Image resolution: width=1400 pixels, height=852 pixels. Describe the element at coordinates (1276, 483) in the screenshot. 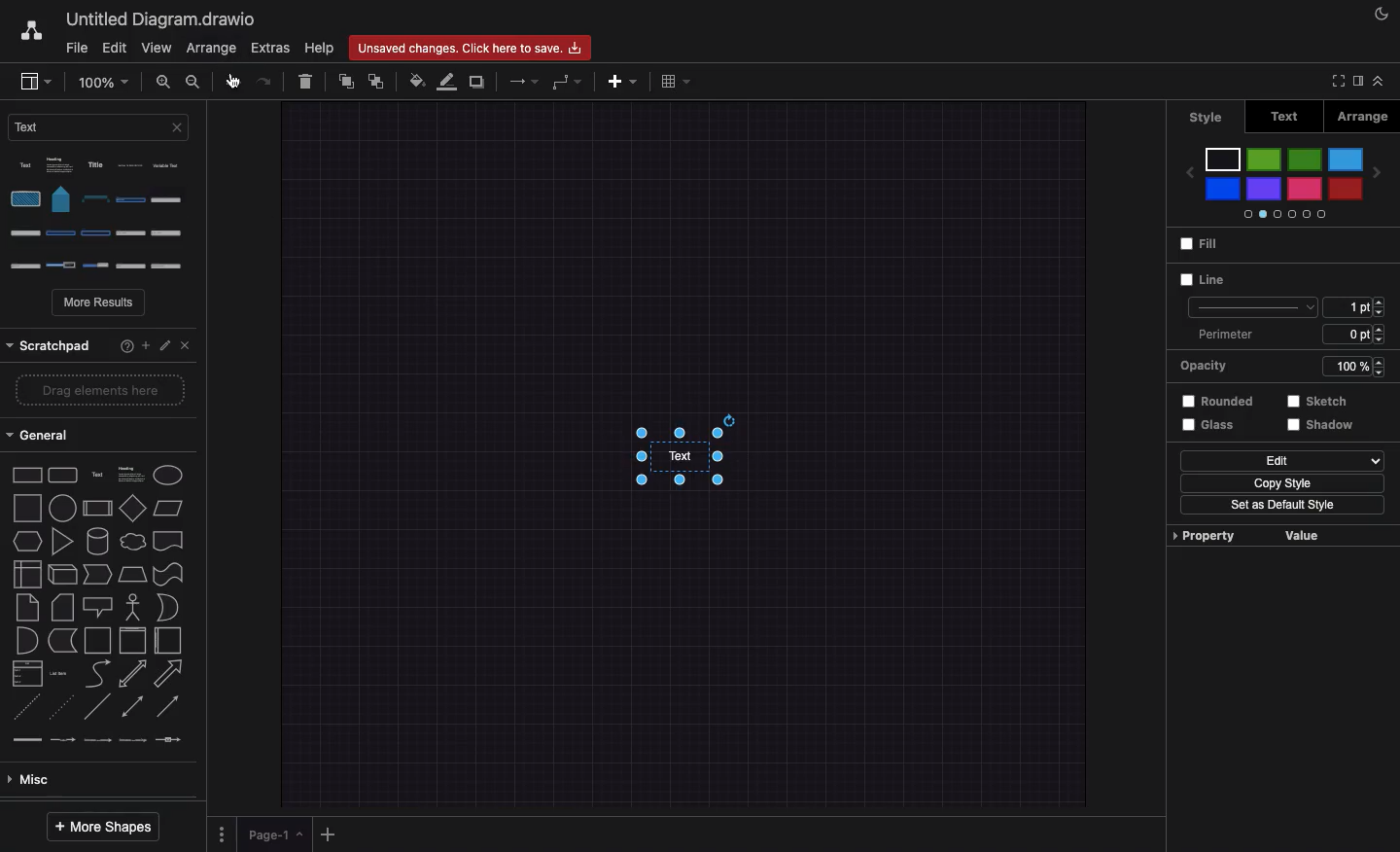

I see `Copy style` at that location.